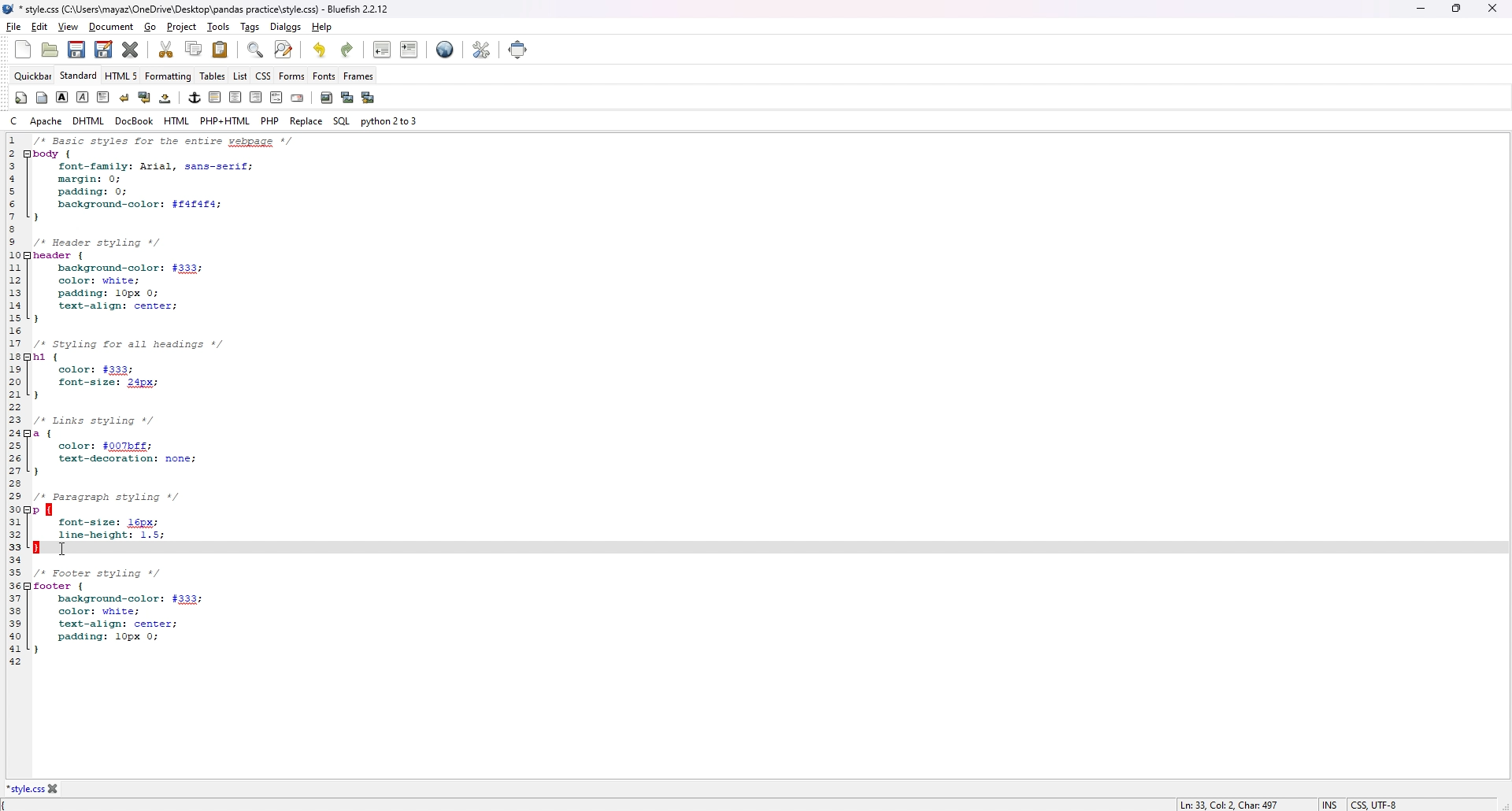 The image size is (1512, 811). What do you see at coordinates (321, 50) in the screenshot?
I see `undo` at bounding box center [321, 50].